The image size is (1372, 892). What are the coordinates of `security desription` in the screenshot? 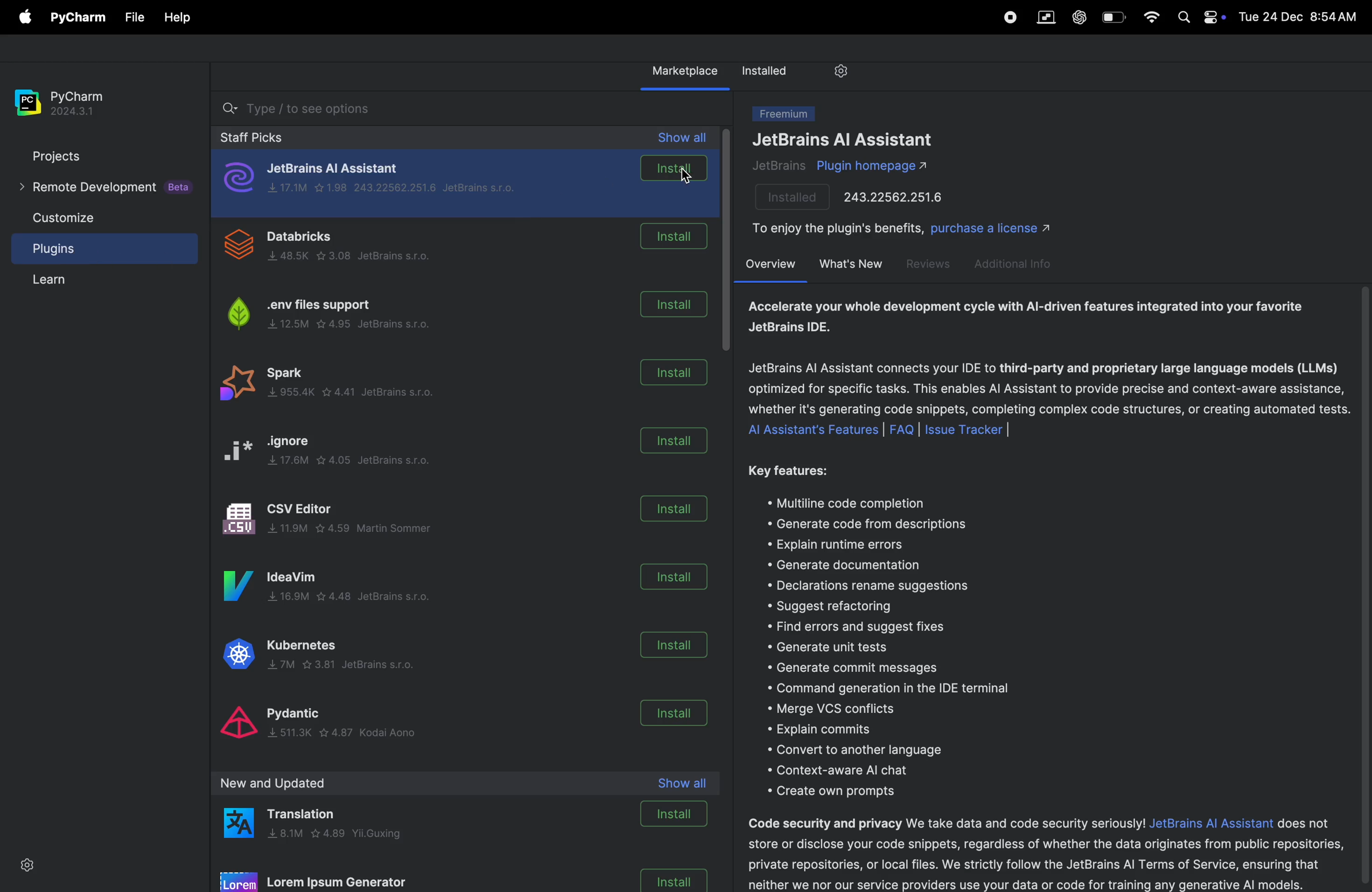 It's located at (1045, 851).